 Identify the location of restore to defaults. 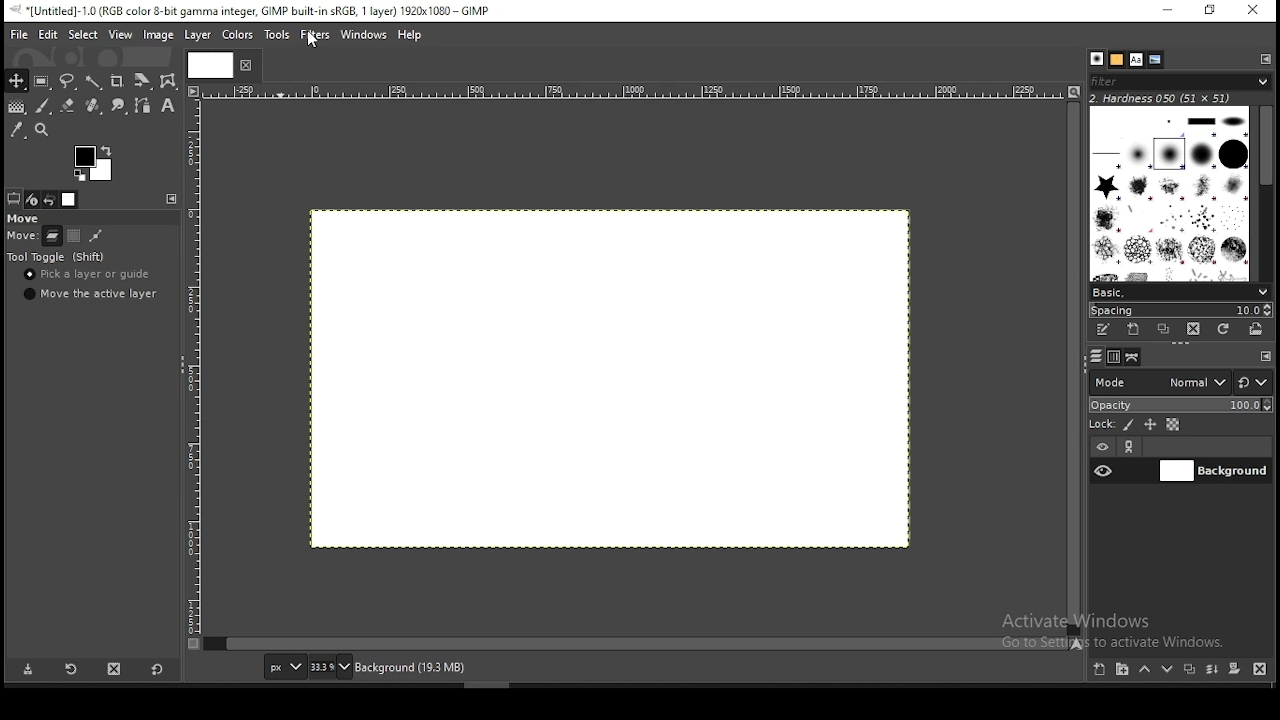
(160, 669).